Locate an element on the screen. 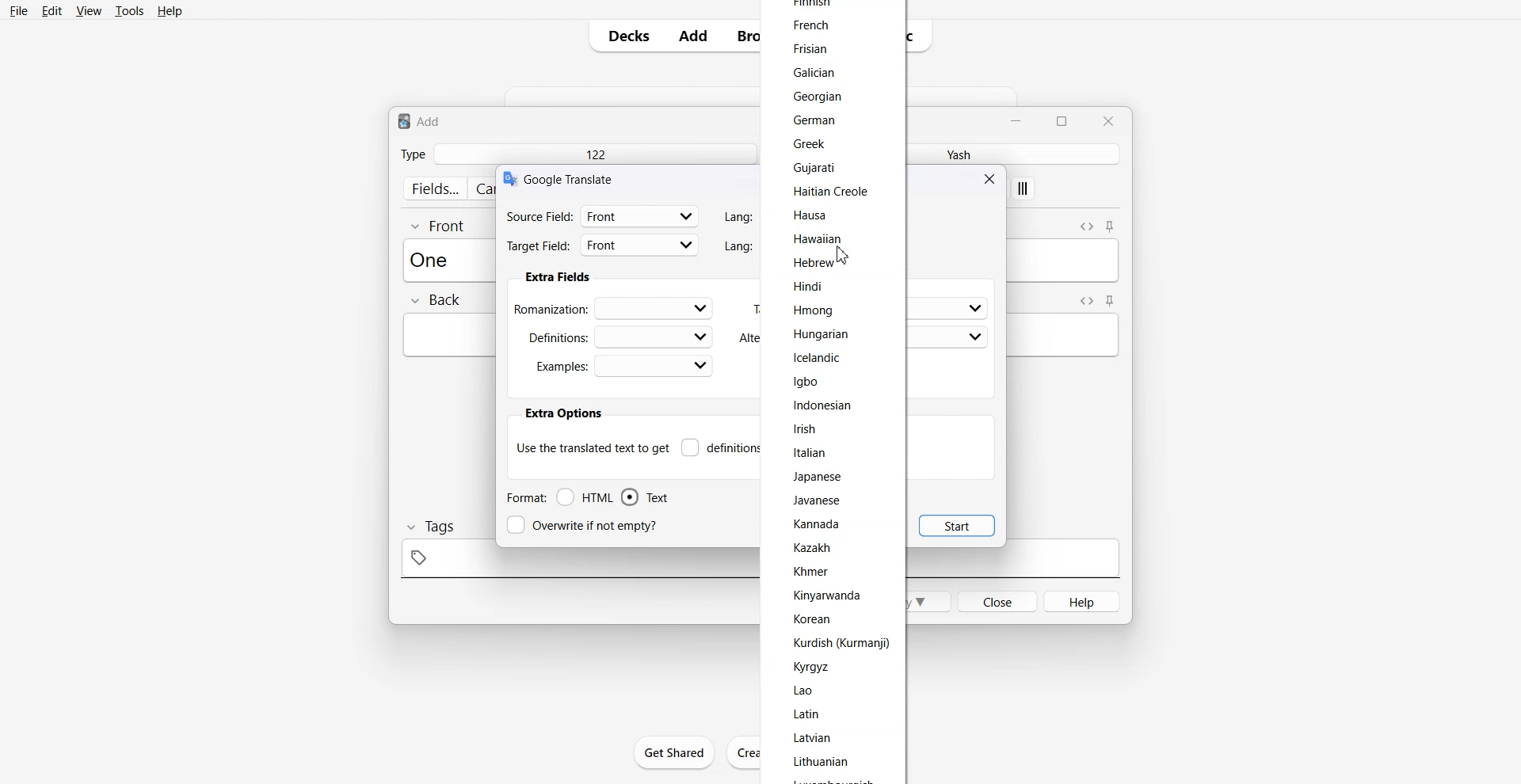  Kazakh is located at coordinates (813, 548).